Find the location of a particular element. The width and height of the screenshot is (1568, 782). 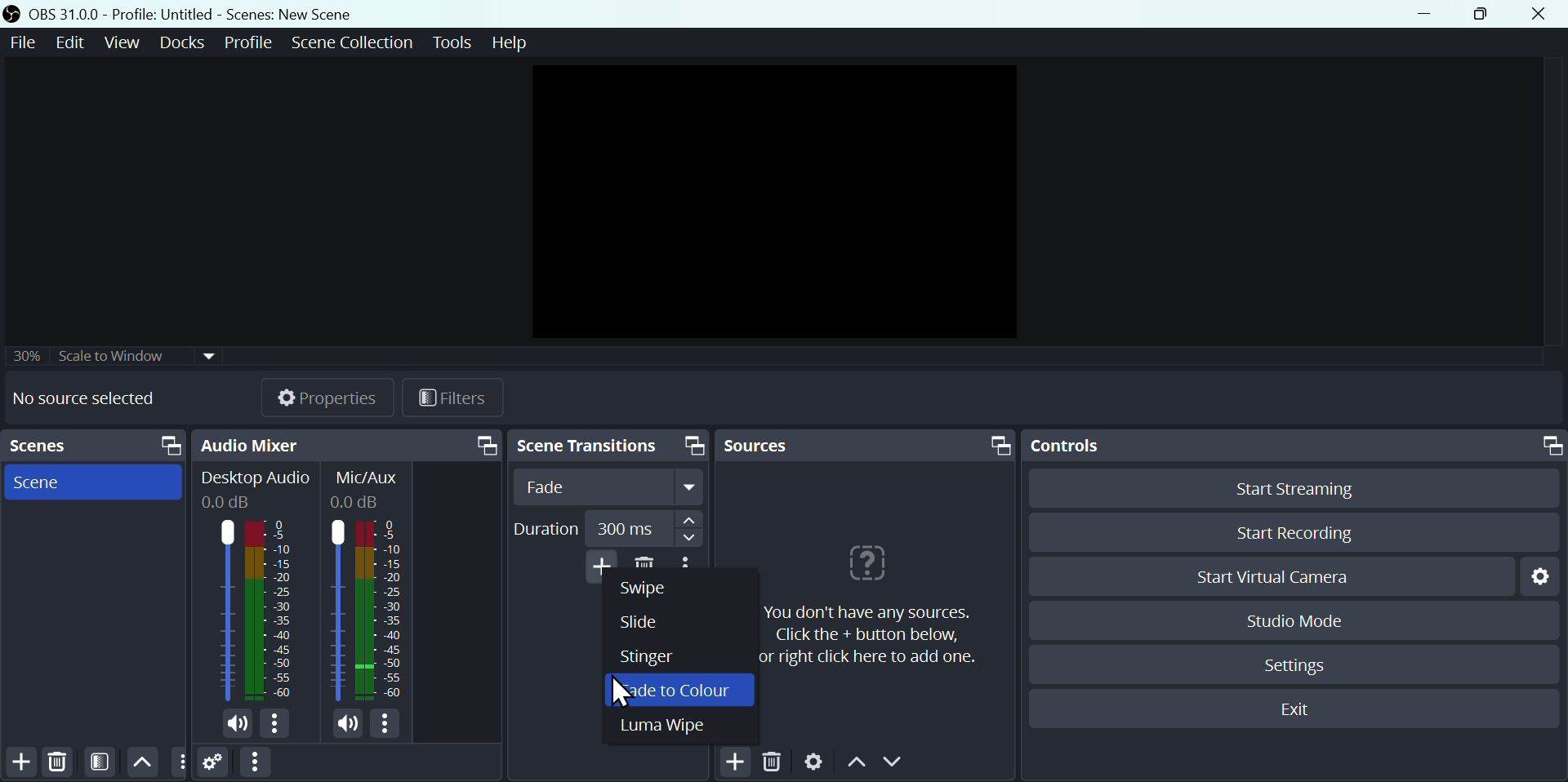

volume is located at coordinates (351, 726).